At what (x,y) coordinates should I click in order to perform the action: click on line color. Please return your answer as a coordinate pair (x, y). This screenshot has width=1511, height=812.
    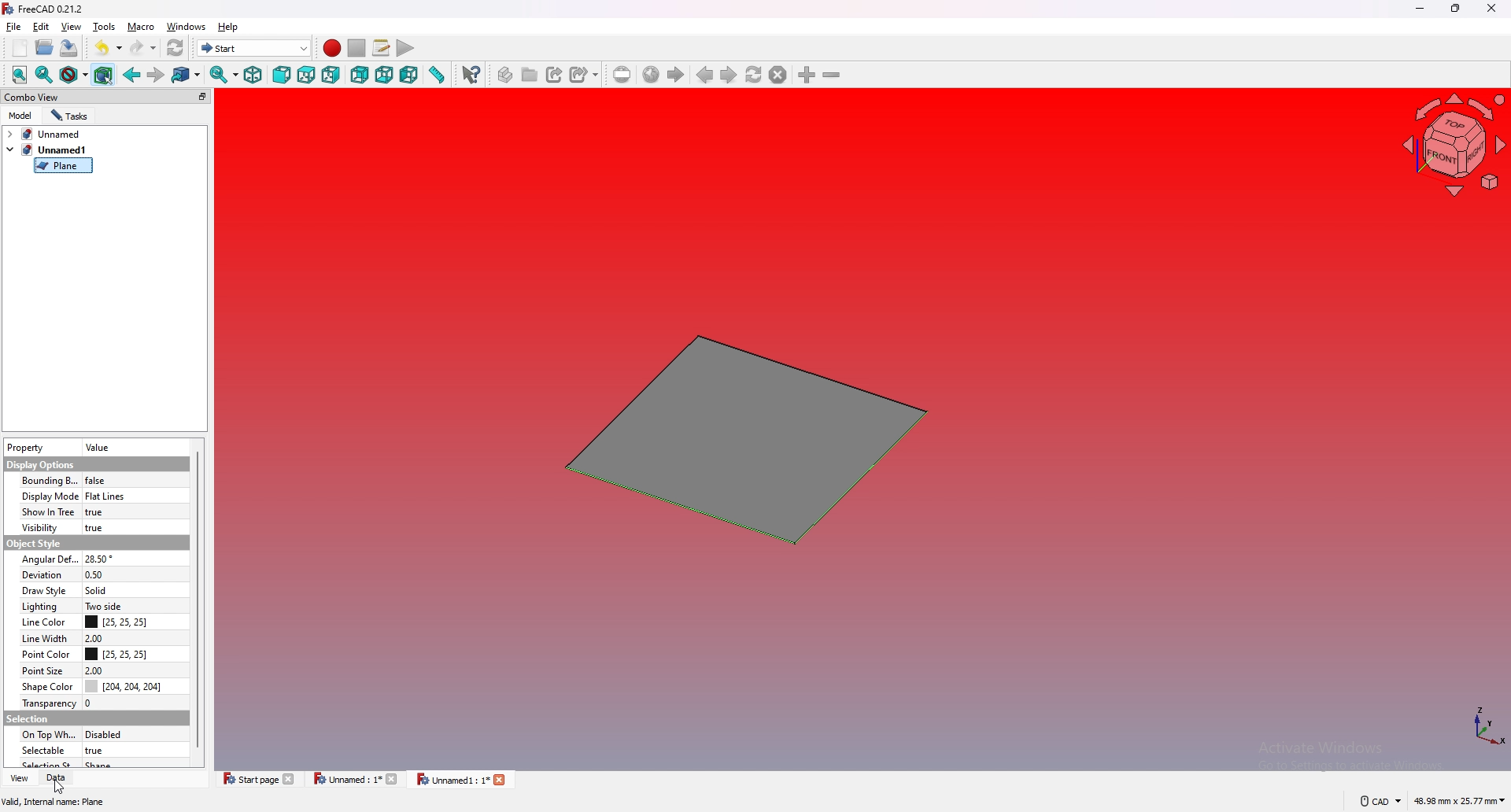
    Looking at the image, I should click on (40, 623).